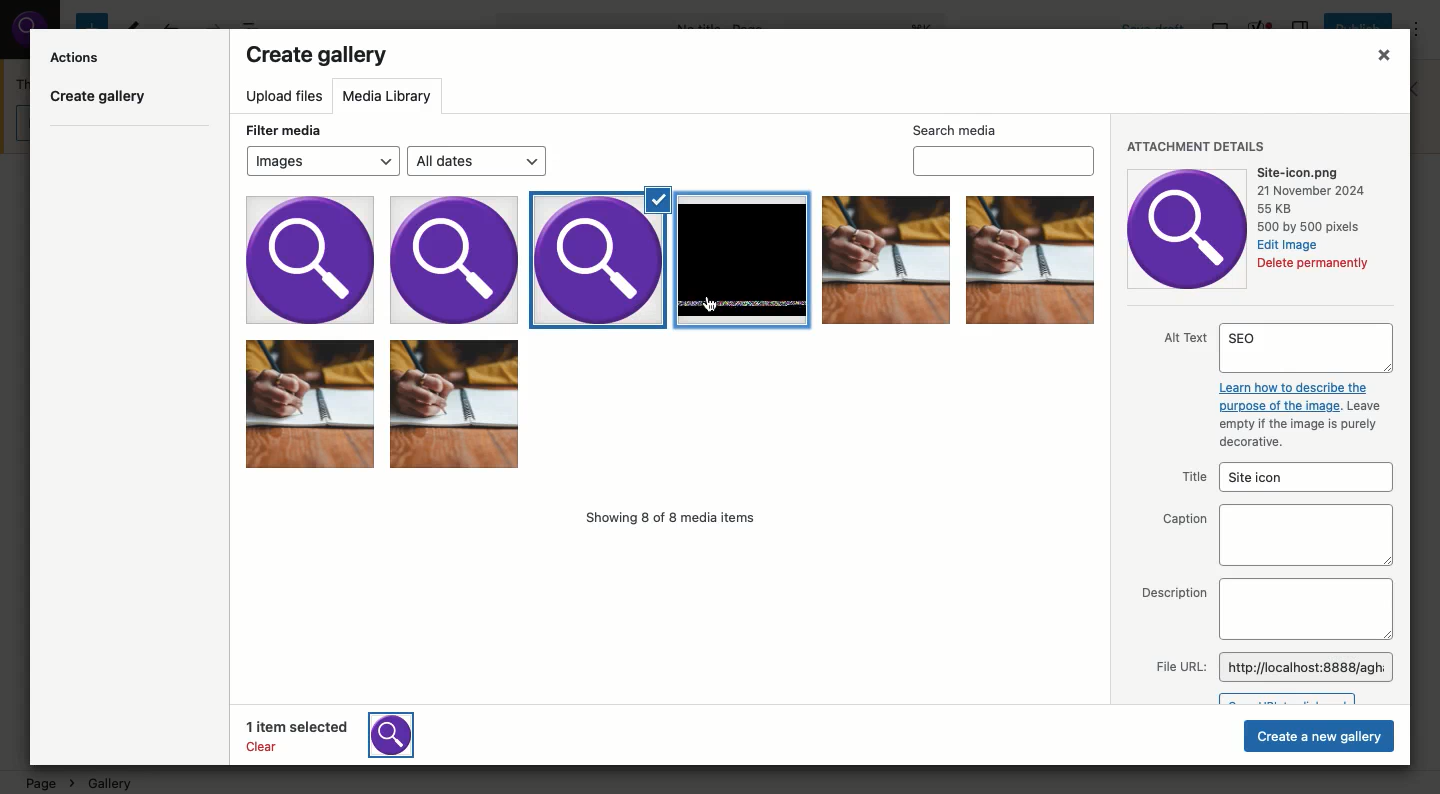 This screenshot has height=794, width=1440. I want to click on Caption, so click(1274, 535).